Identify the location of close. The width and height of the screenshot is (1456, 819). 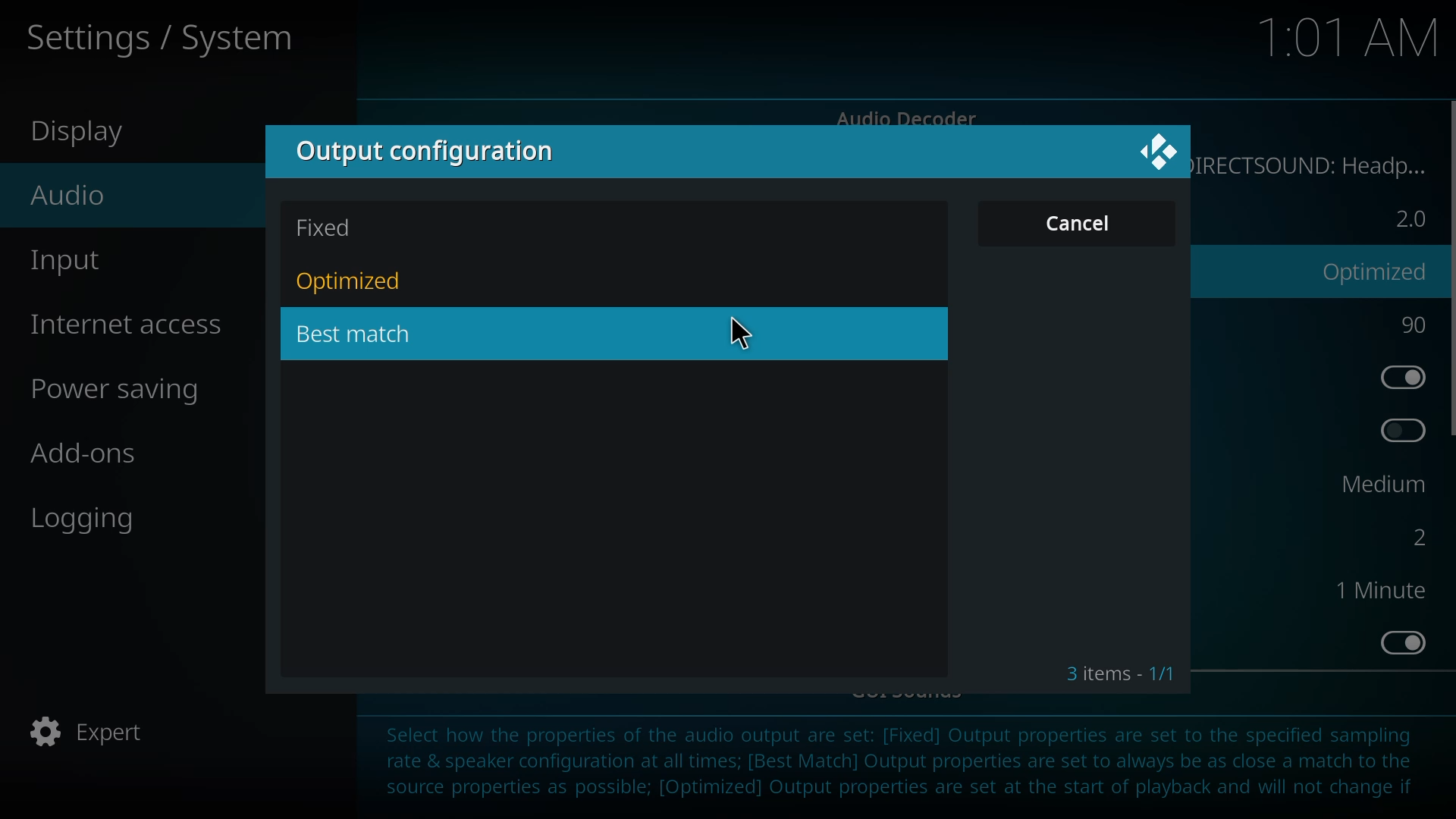
(1157, 148).